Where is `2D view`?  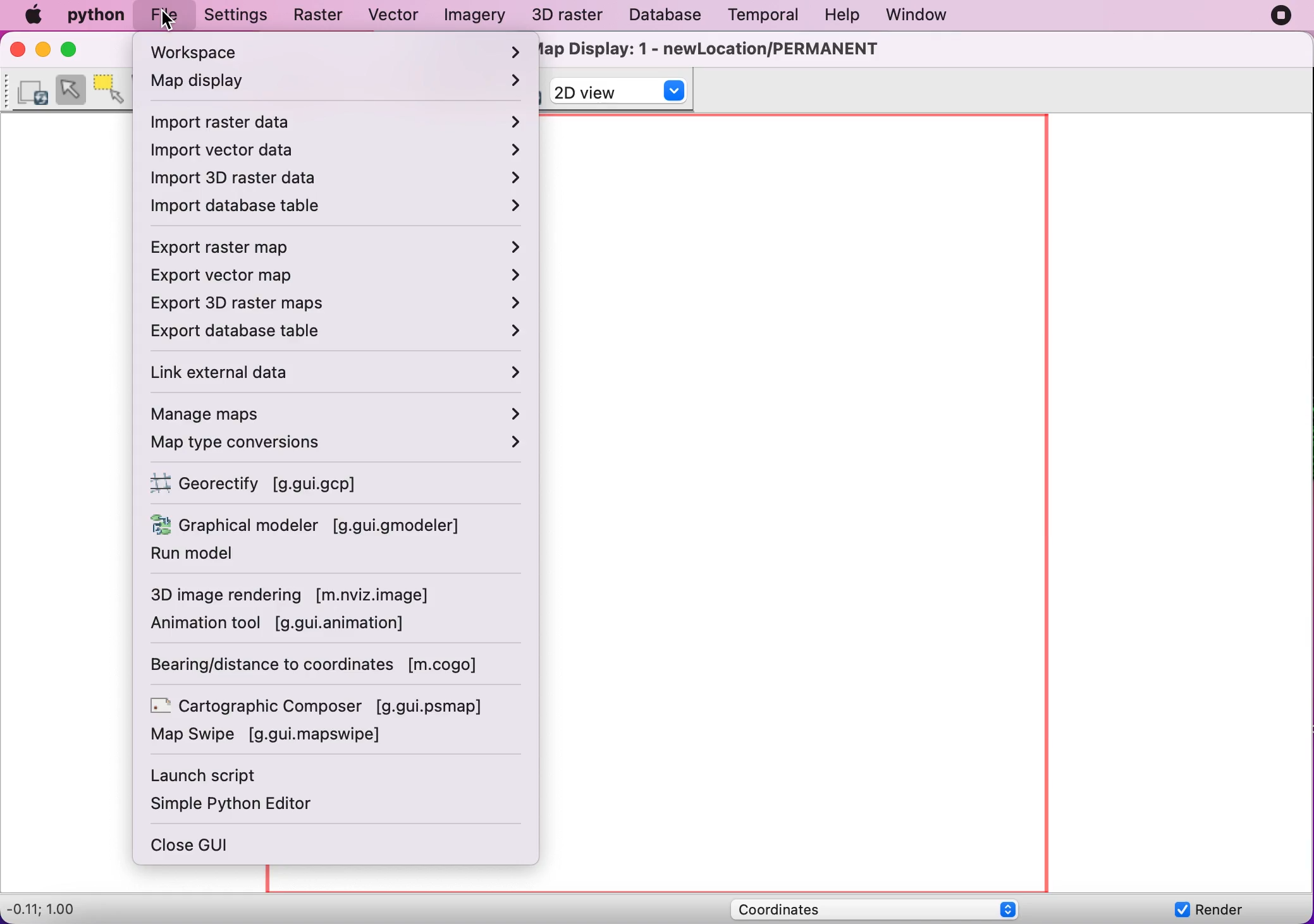 2D view is located at coordinates (622, 92).